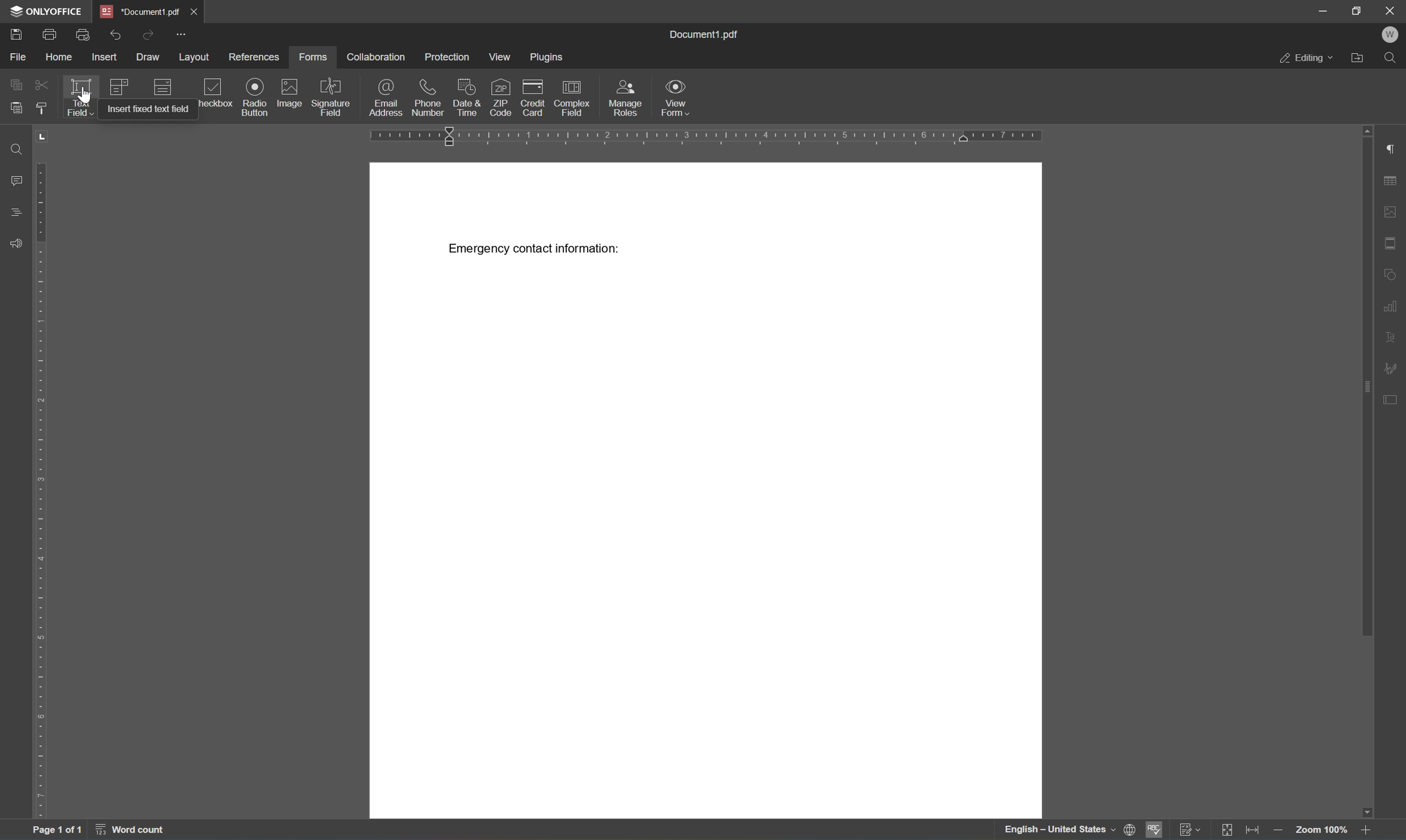  Describe the element at coordinates (1258, 830) in the screenshot. I see `fit to width` at that location.